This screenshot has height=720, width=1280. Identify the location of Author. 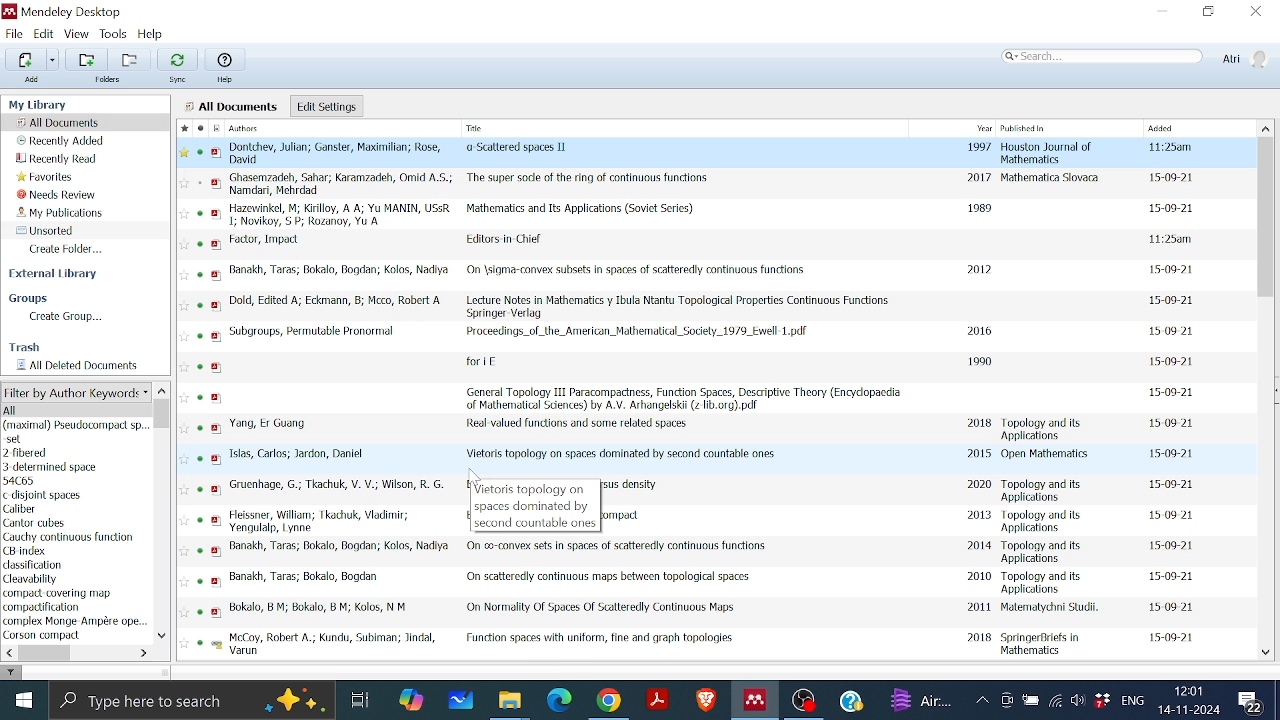
(304, 577).